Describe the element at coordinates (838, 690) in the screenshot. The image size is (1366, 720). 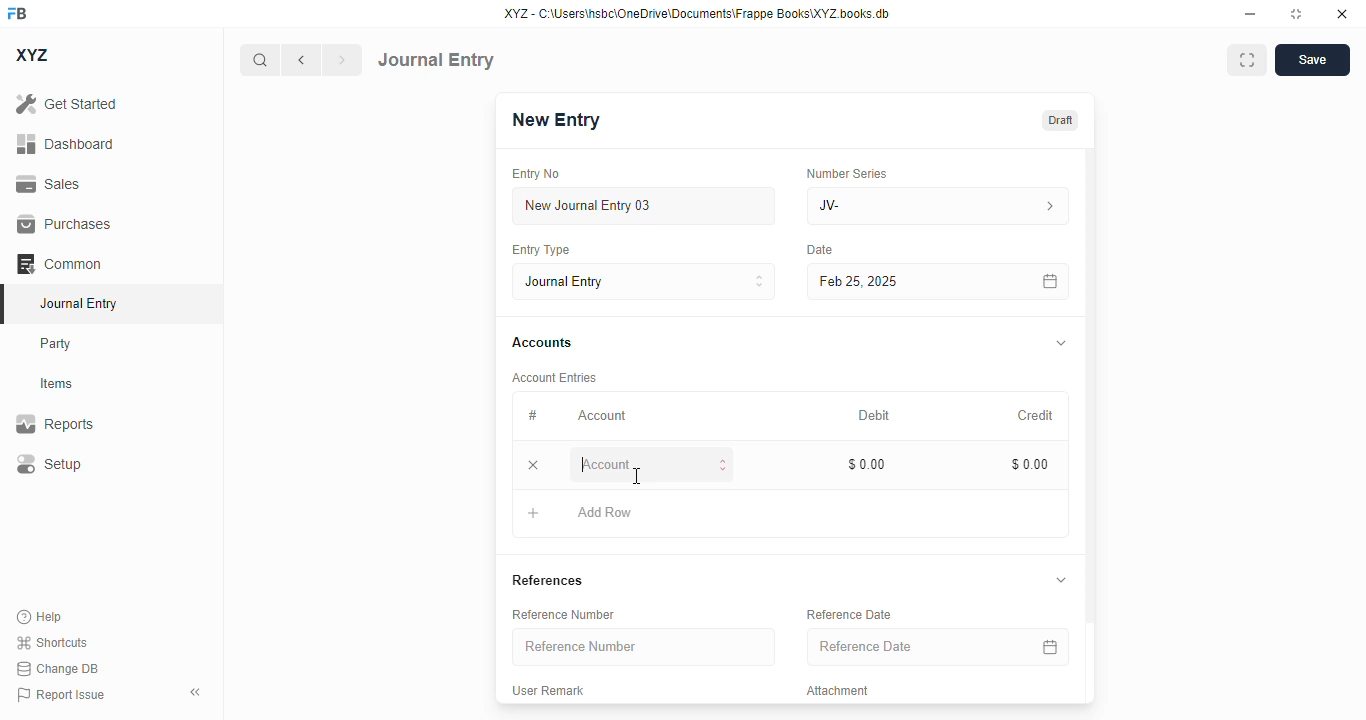
I see `attachment` at that location.